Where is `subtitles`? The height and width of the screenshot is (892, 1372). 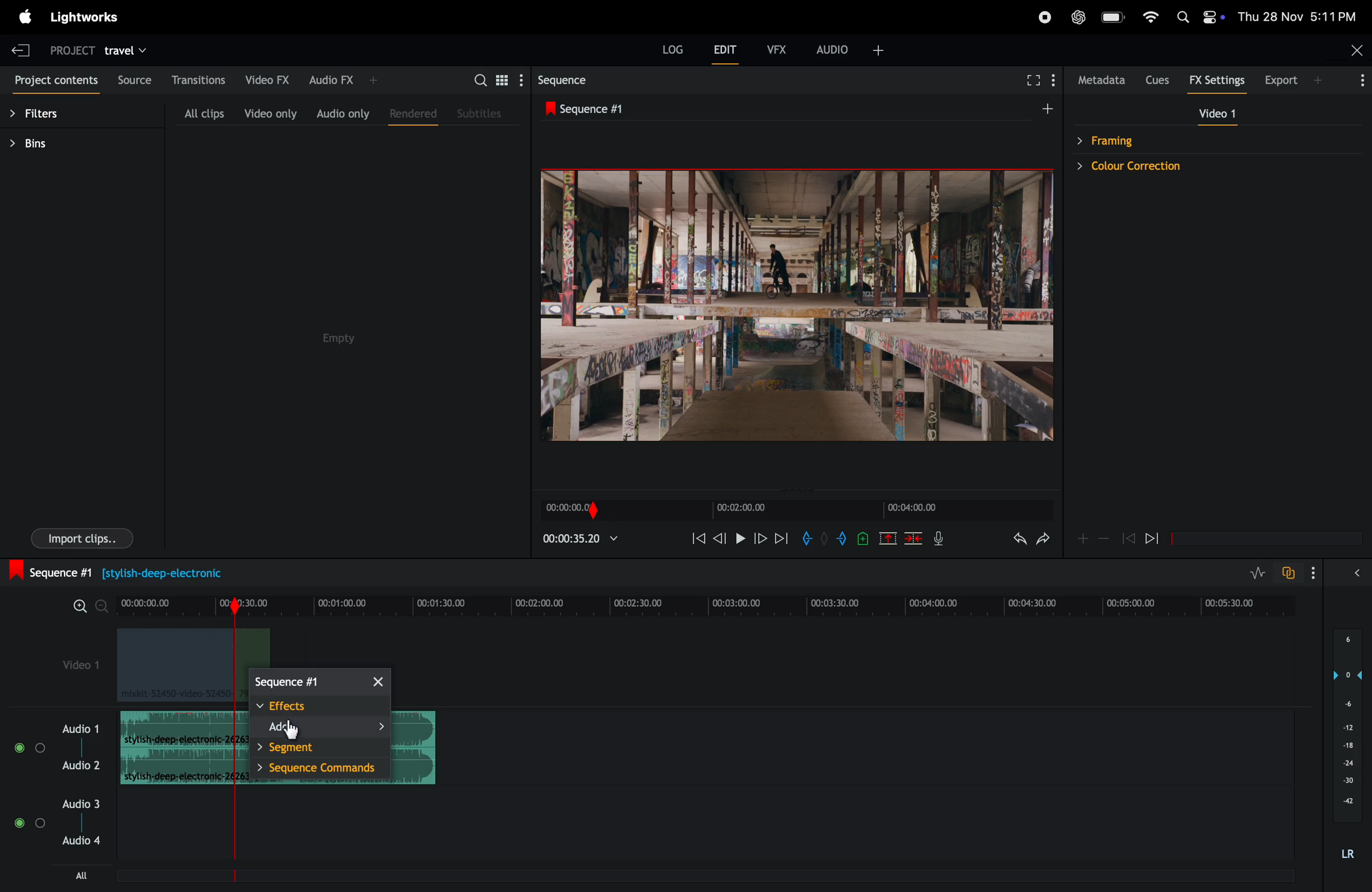
subtitles is located at coordinates (481, 115).